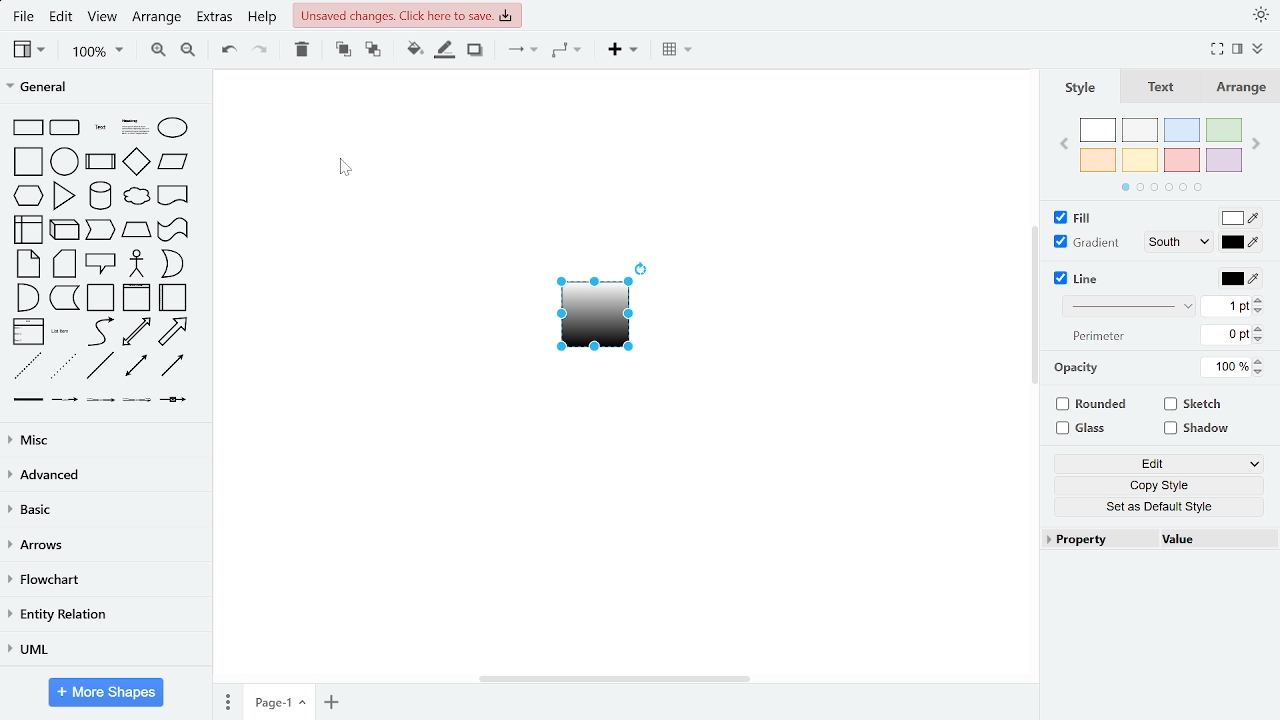  I want to click on property, so click(1097, 541).